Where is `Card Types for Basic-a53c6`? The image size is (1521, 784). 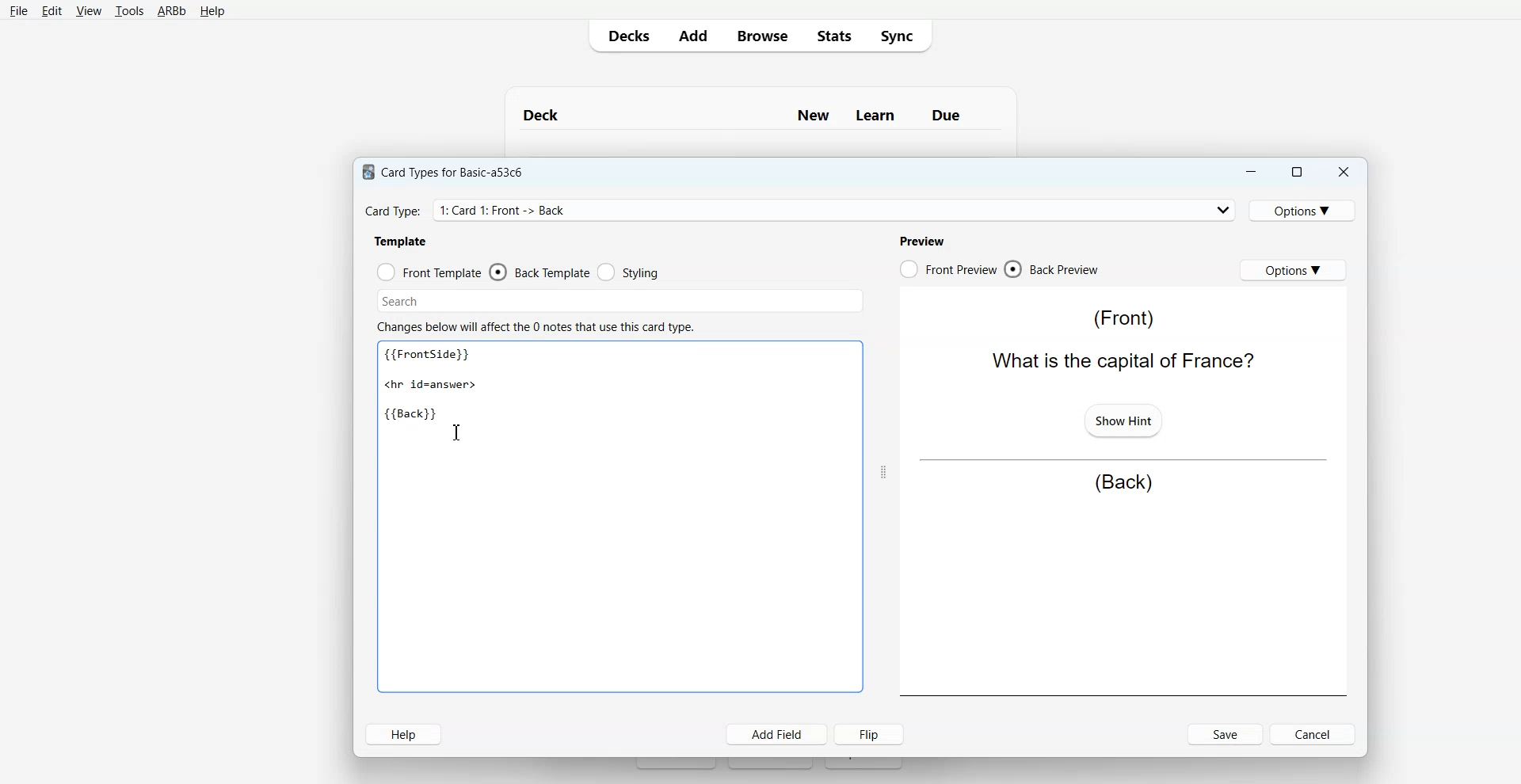
Card Types for Basic-a53c6 is located at coordinates (444, 171).